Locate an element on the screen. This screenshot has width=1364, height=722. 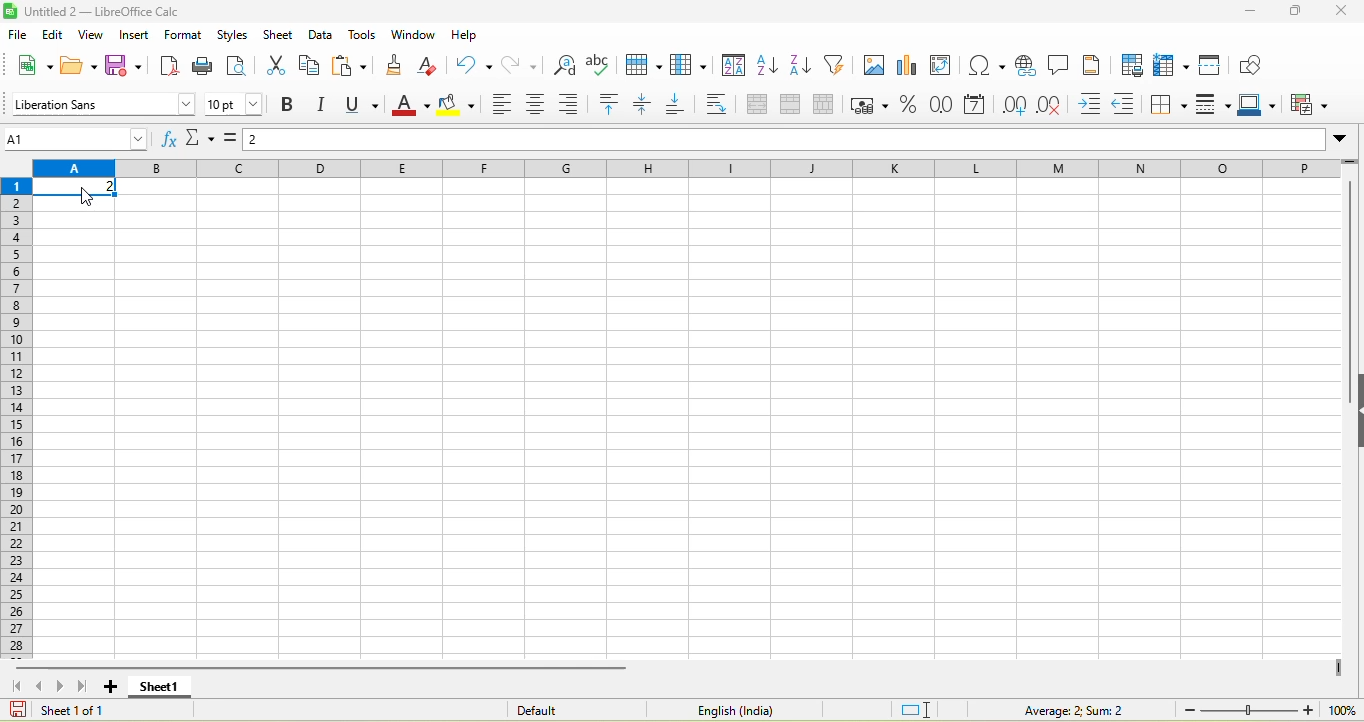
font style is located at coordinates (100, 103).